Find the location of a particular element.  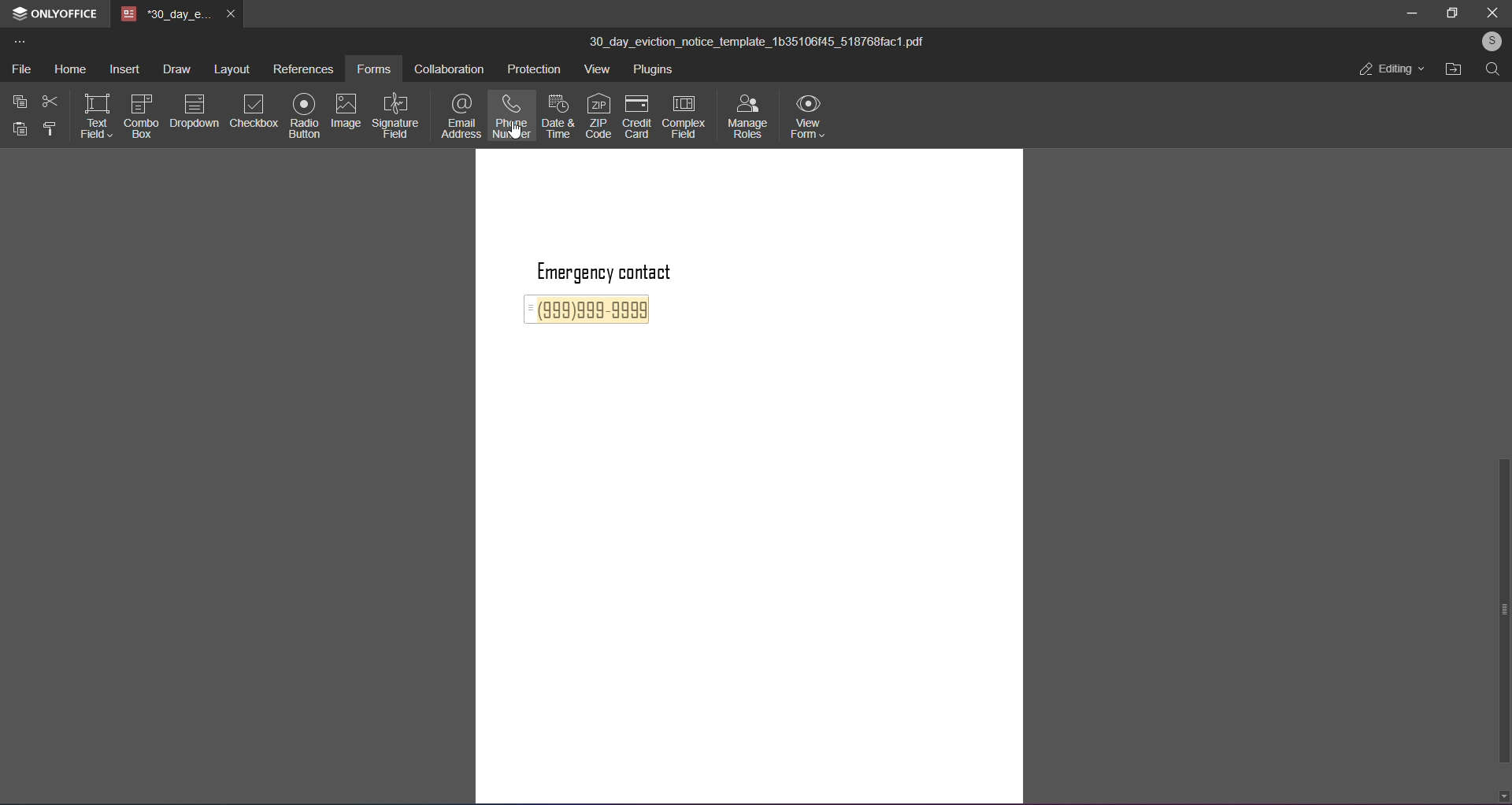

paste is located at coordinates (21, 131).